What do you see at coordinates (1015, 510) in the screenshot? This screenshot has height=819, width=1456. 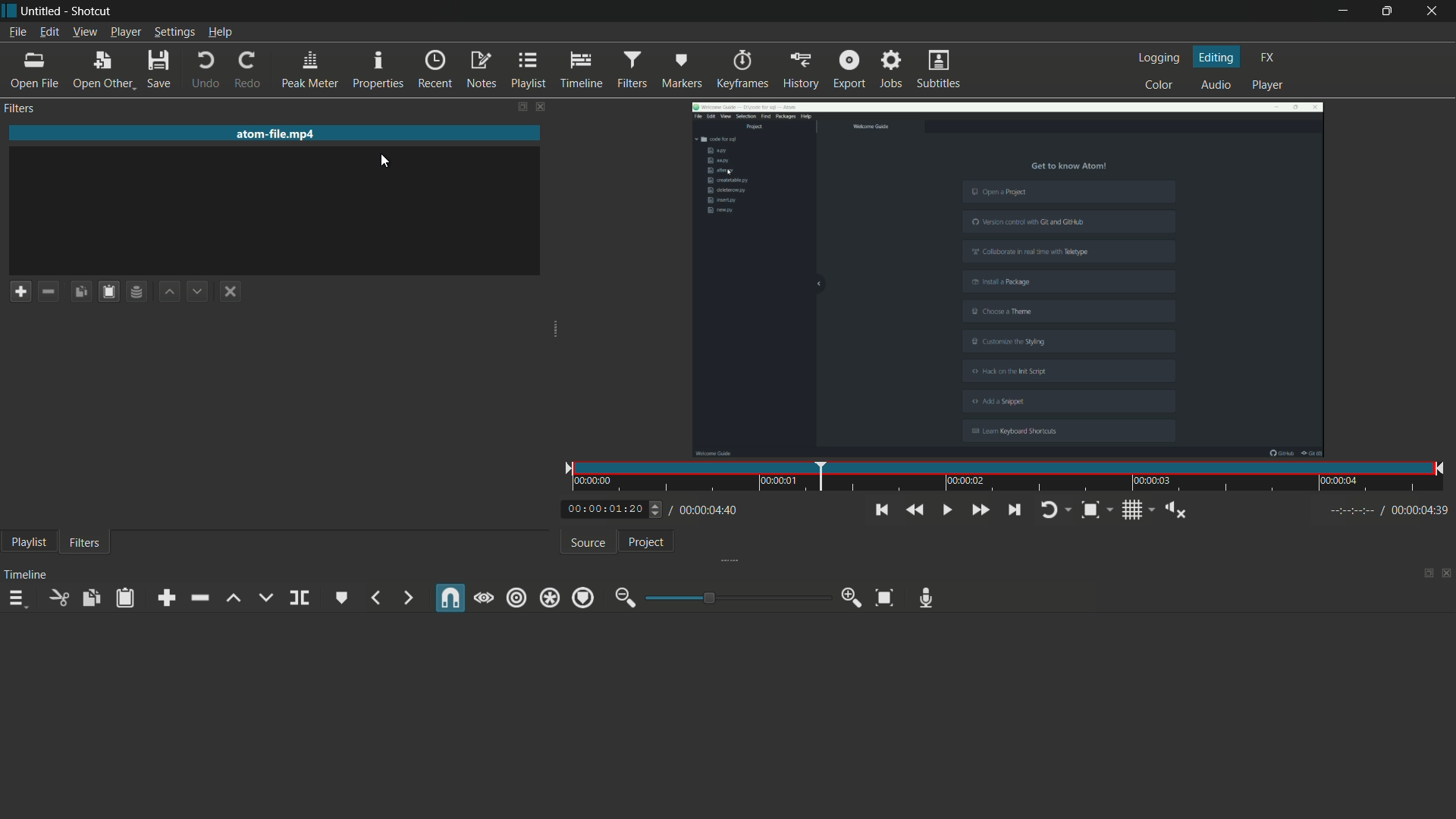 I see `skip to the next point` at bounding box center [1015, 510].